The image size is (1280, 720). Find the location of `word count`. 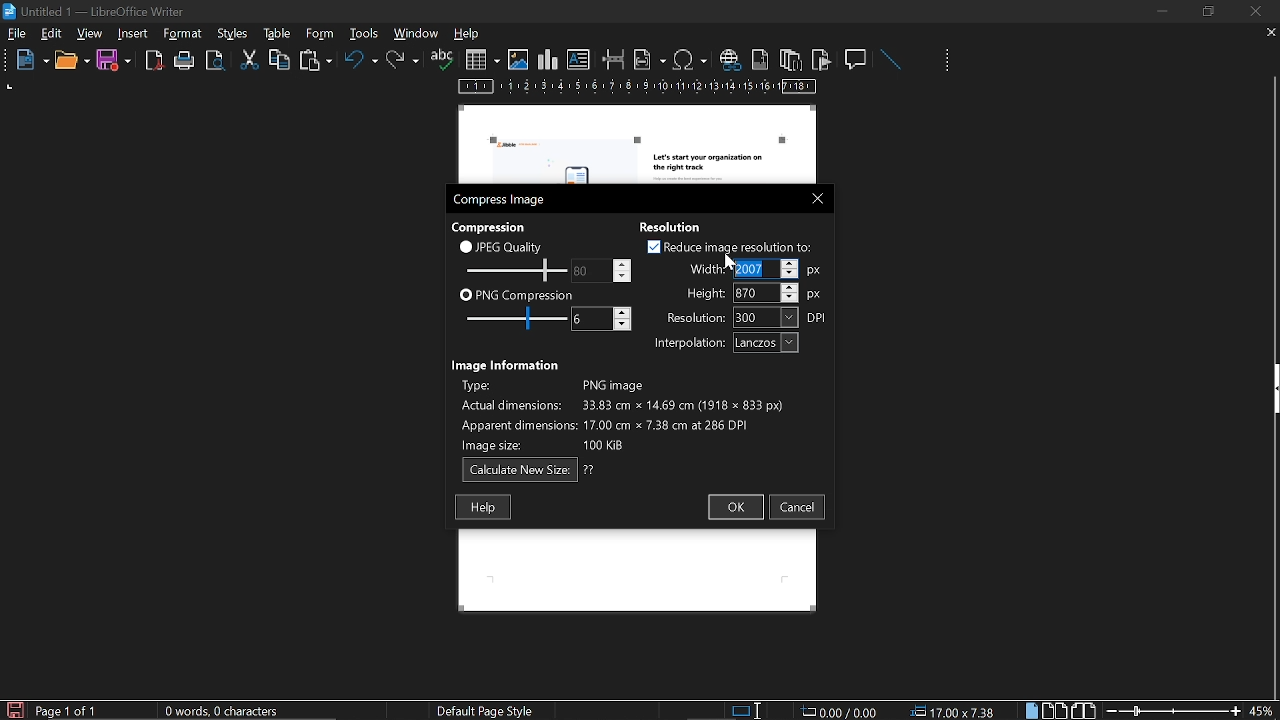

word count is located at coordinates (229, 711).